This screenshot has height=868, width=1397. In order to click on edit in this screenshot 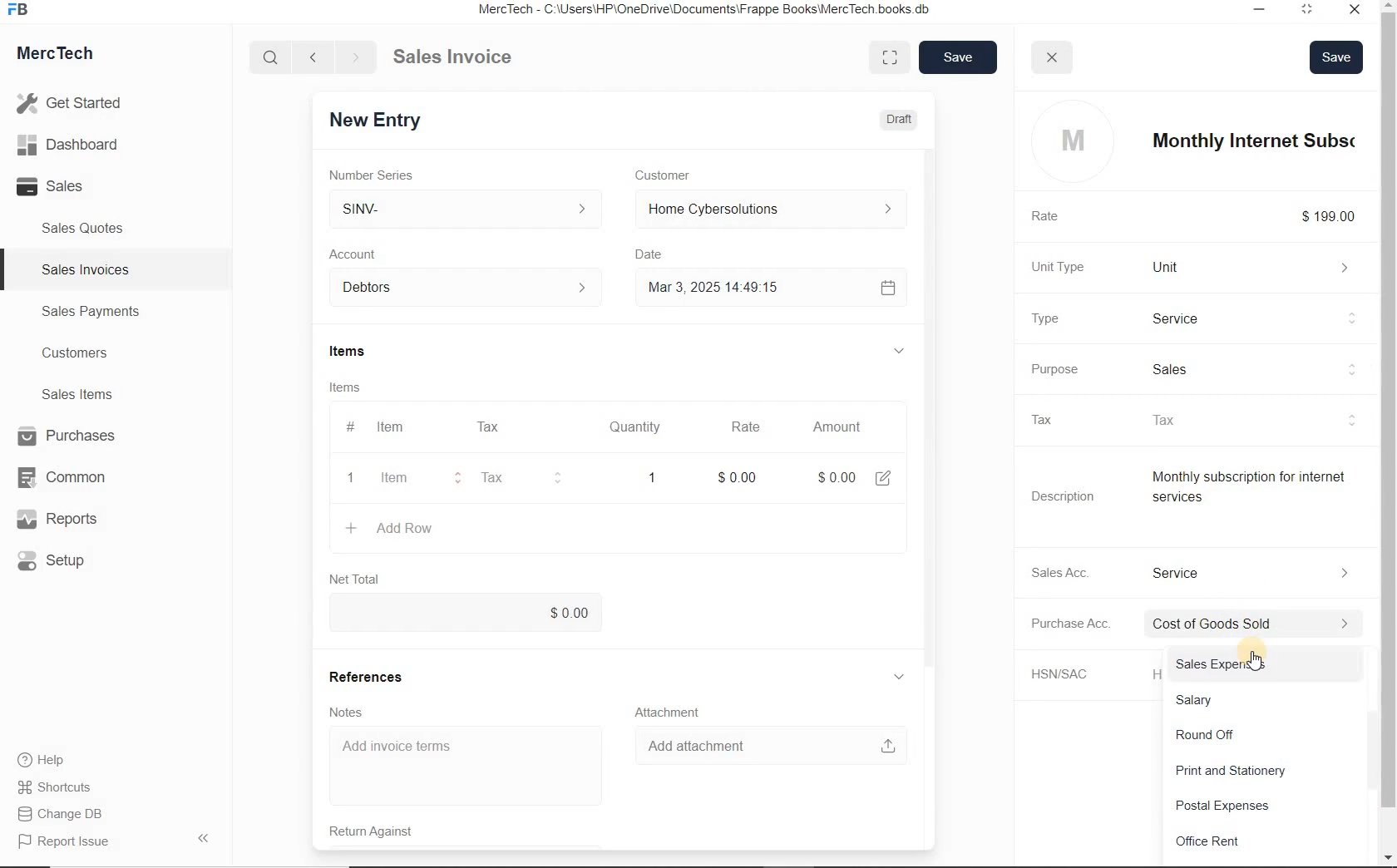, I will do `click(890, 476)`.